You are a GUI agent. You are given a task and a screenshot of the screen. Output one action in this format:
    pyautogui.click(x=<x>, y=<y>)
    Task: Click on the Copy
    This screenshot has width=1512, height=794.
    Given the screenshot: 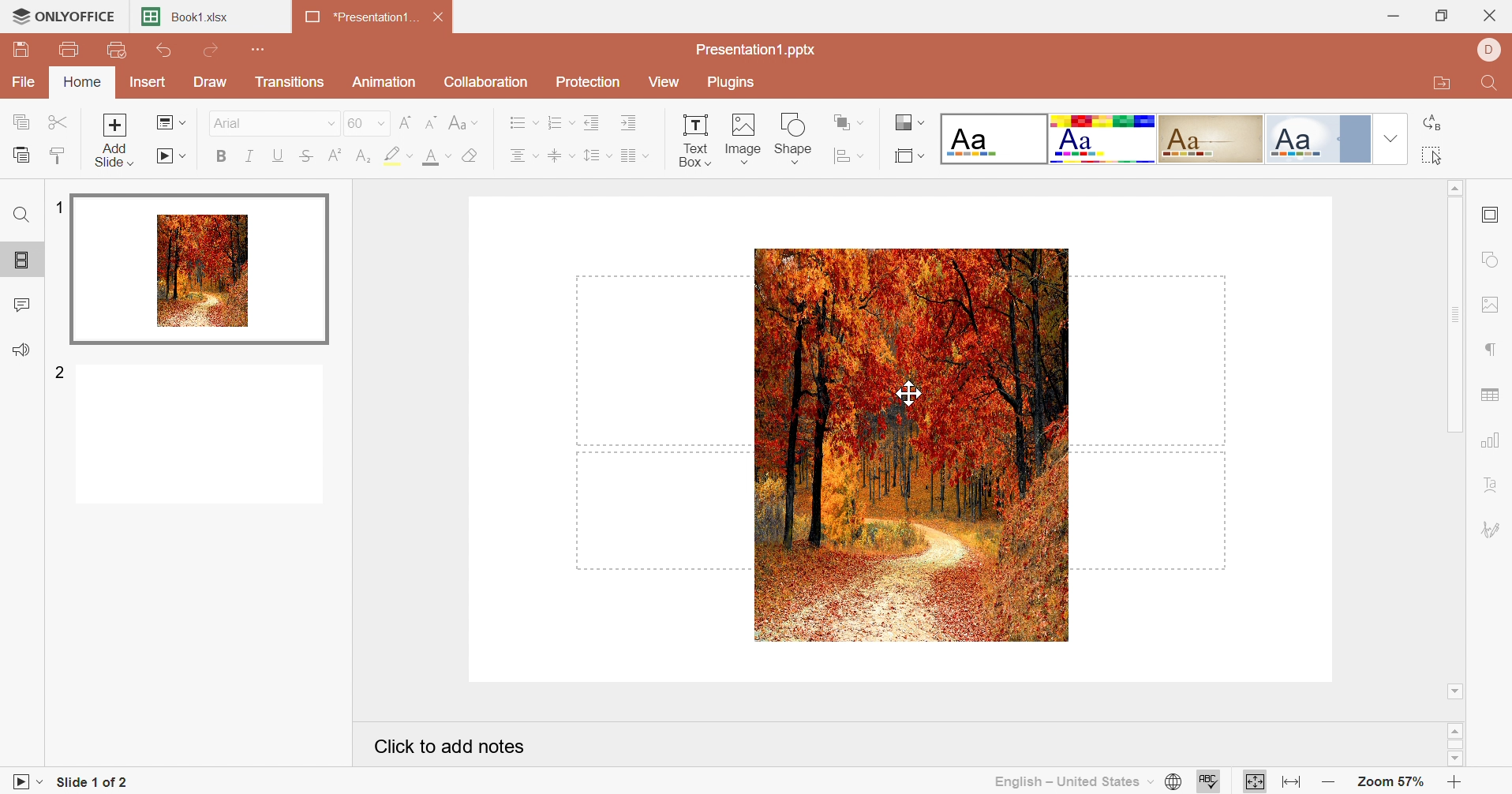 What is the action you would take?
    pyautogui.click(x=22, y=122)
    